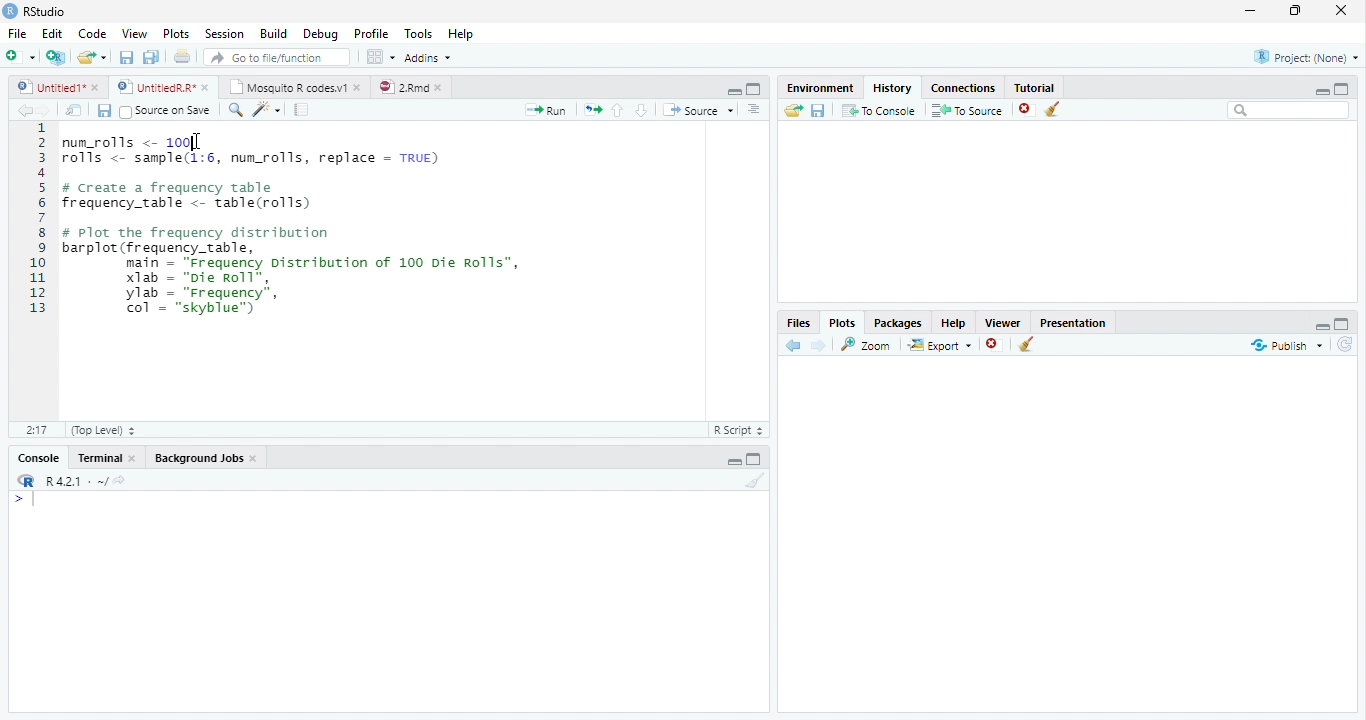 The width and height of the screenshot is (1366, 720). Describe the element at coordinates (821, 87) in the screenshot. I see `Environment` at that location.